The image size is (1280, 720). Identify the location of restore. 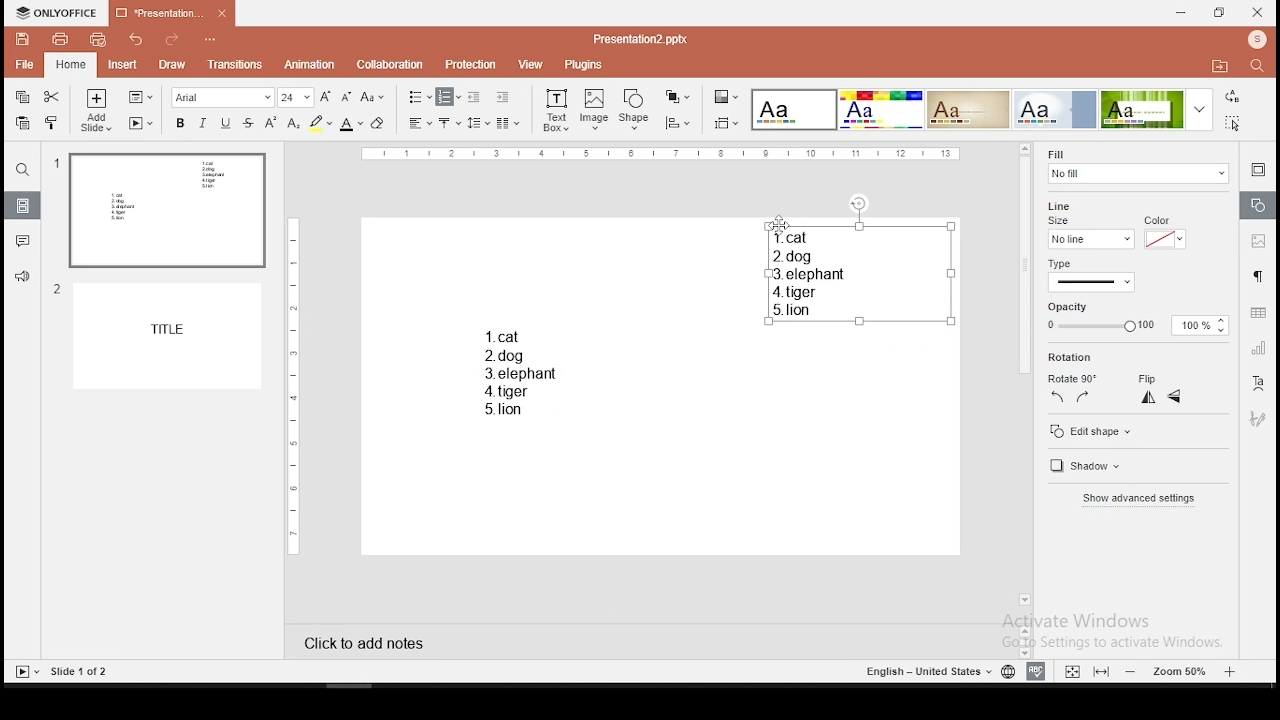
(1220, 13).